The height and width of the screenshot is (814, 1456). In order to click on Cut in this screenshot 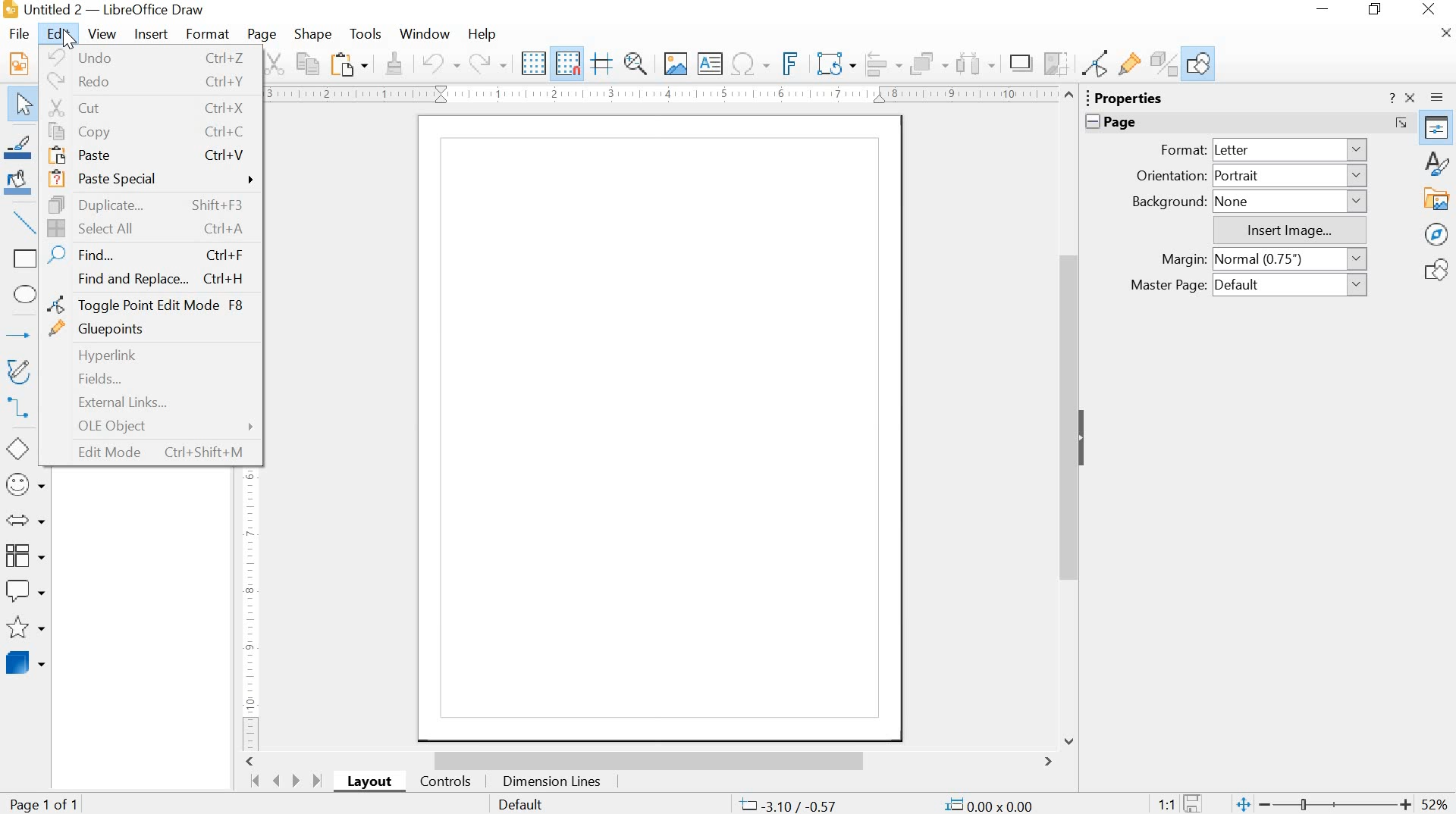, I will do `click(272, 64)`.